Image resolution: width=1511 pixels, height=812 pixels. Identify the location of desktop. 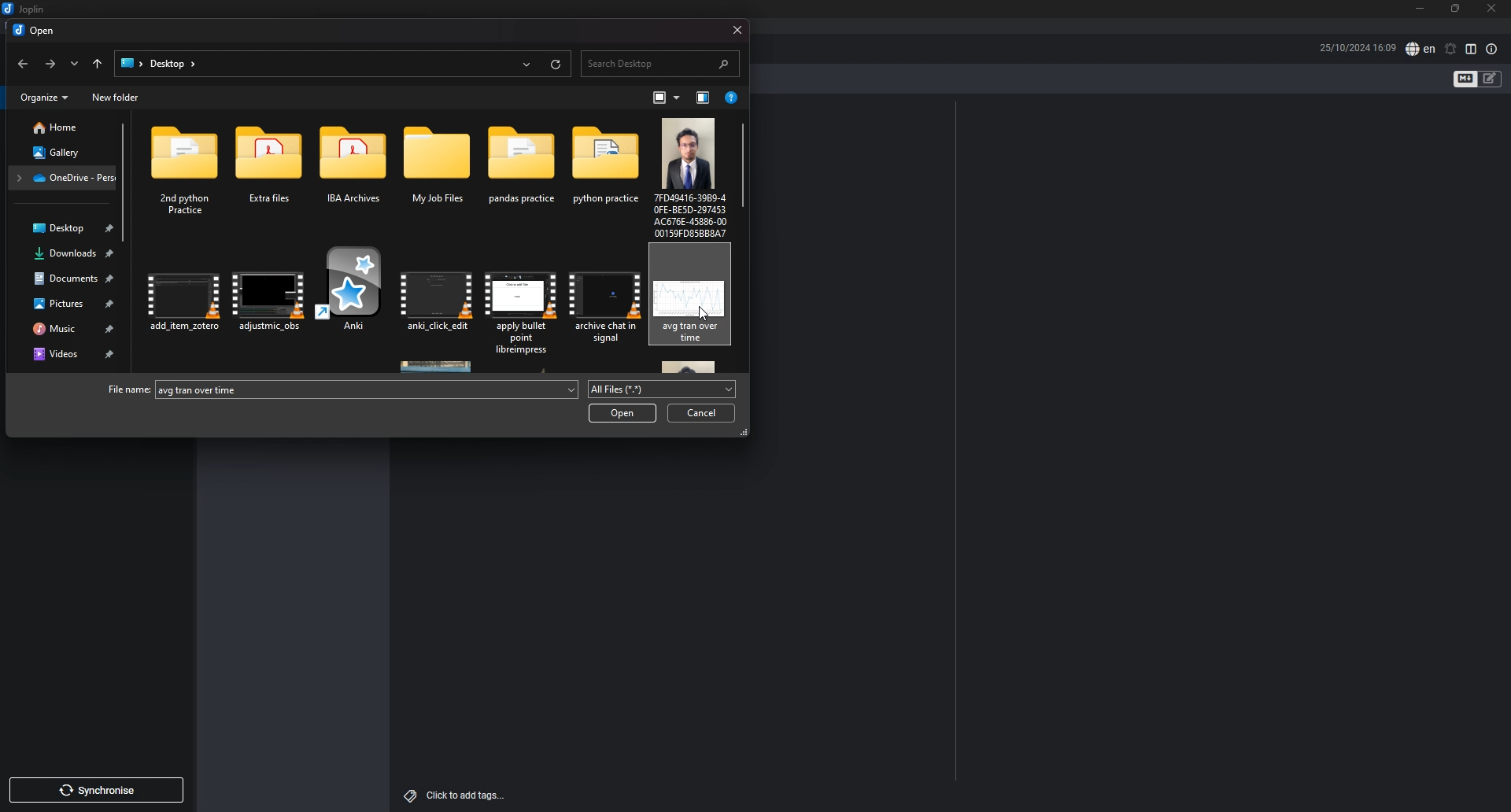
(64, 227).